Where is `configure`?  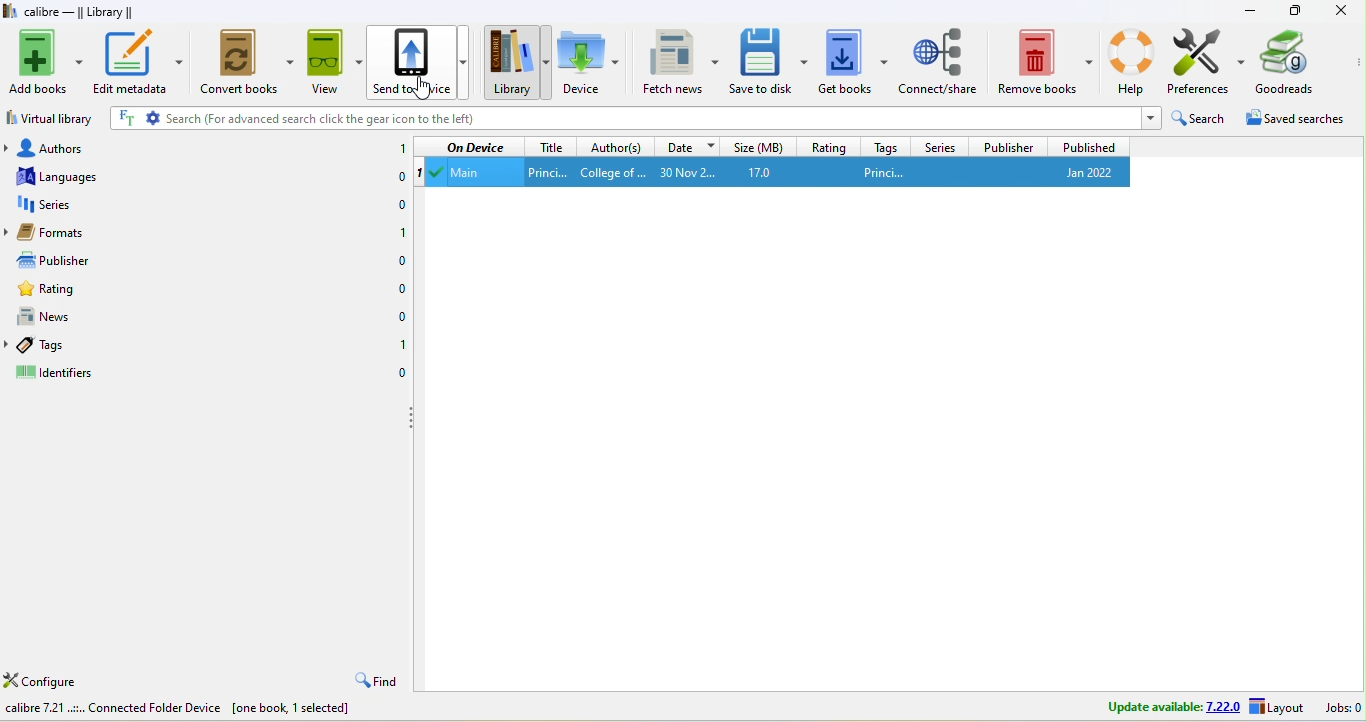 configure is located at coordinates (39, 680).